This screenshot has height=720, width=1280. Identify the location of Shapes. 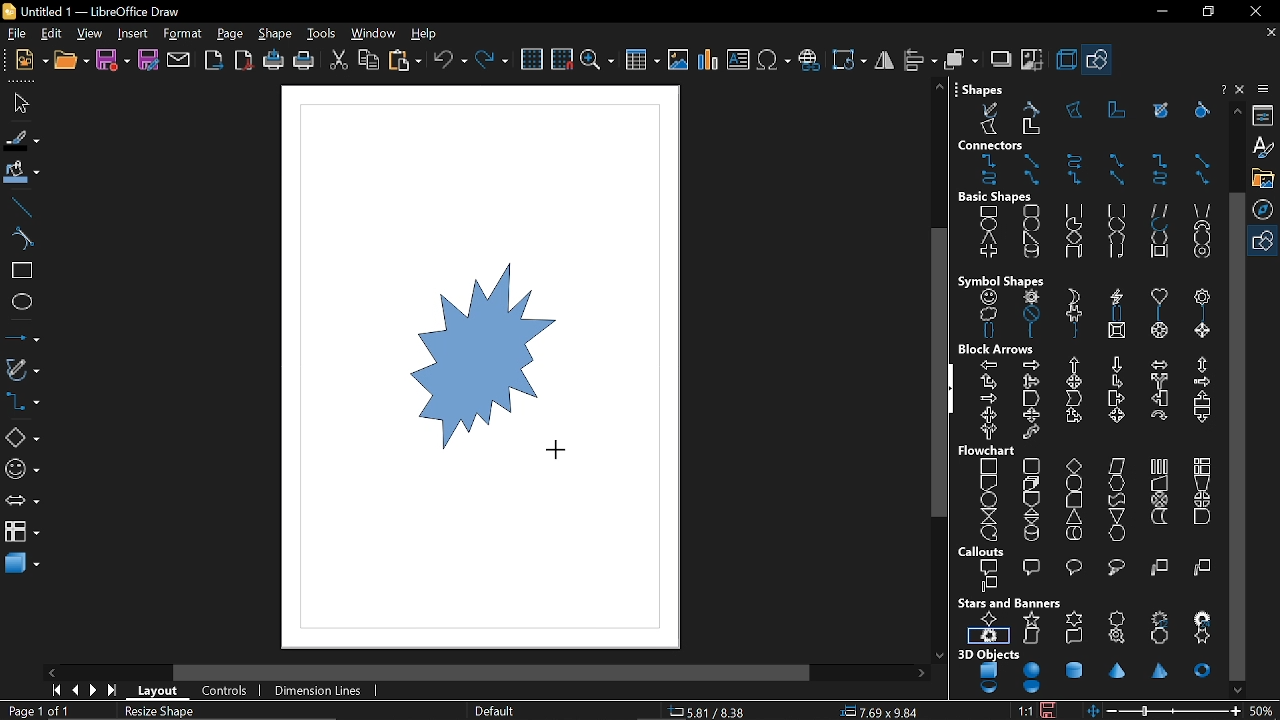
(1082, 109).